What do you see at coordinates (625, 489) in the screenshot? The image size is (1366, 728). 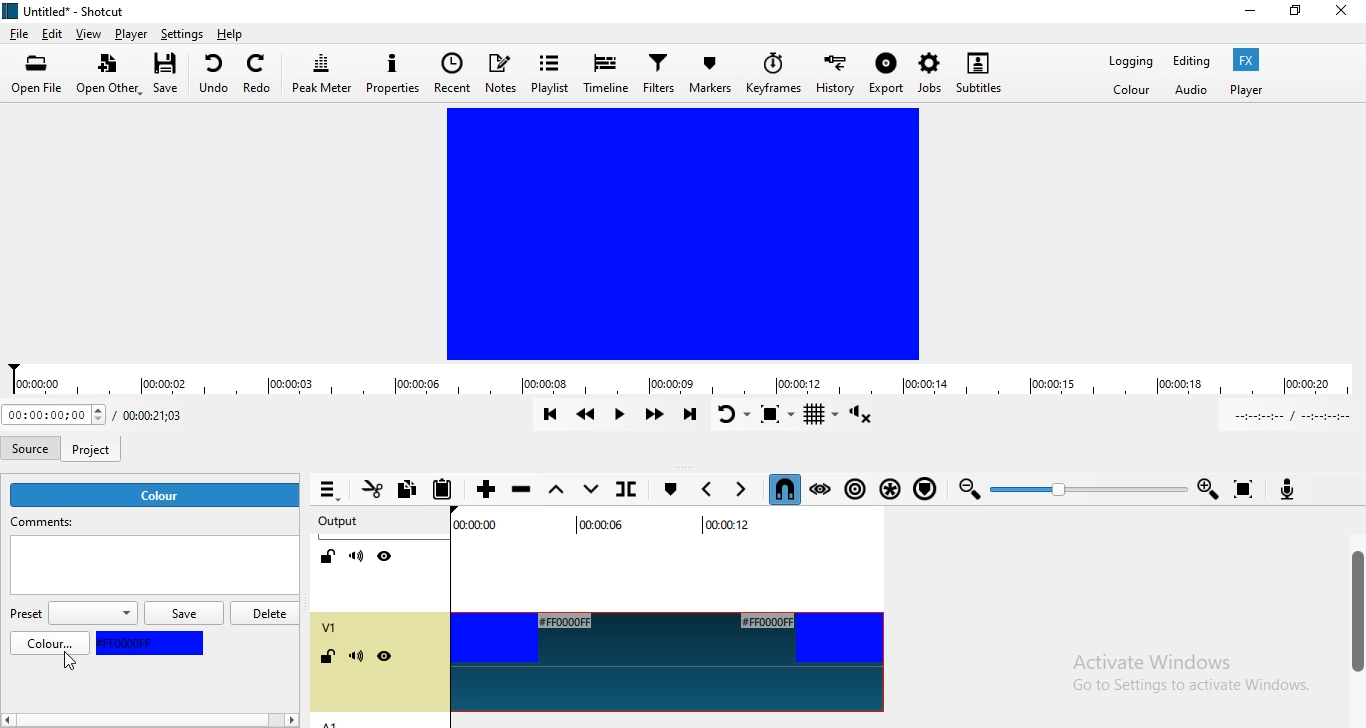 I see `Split at playhead` at bounding box center [625, 489].